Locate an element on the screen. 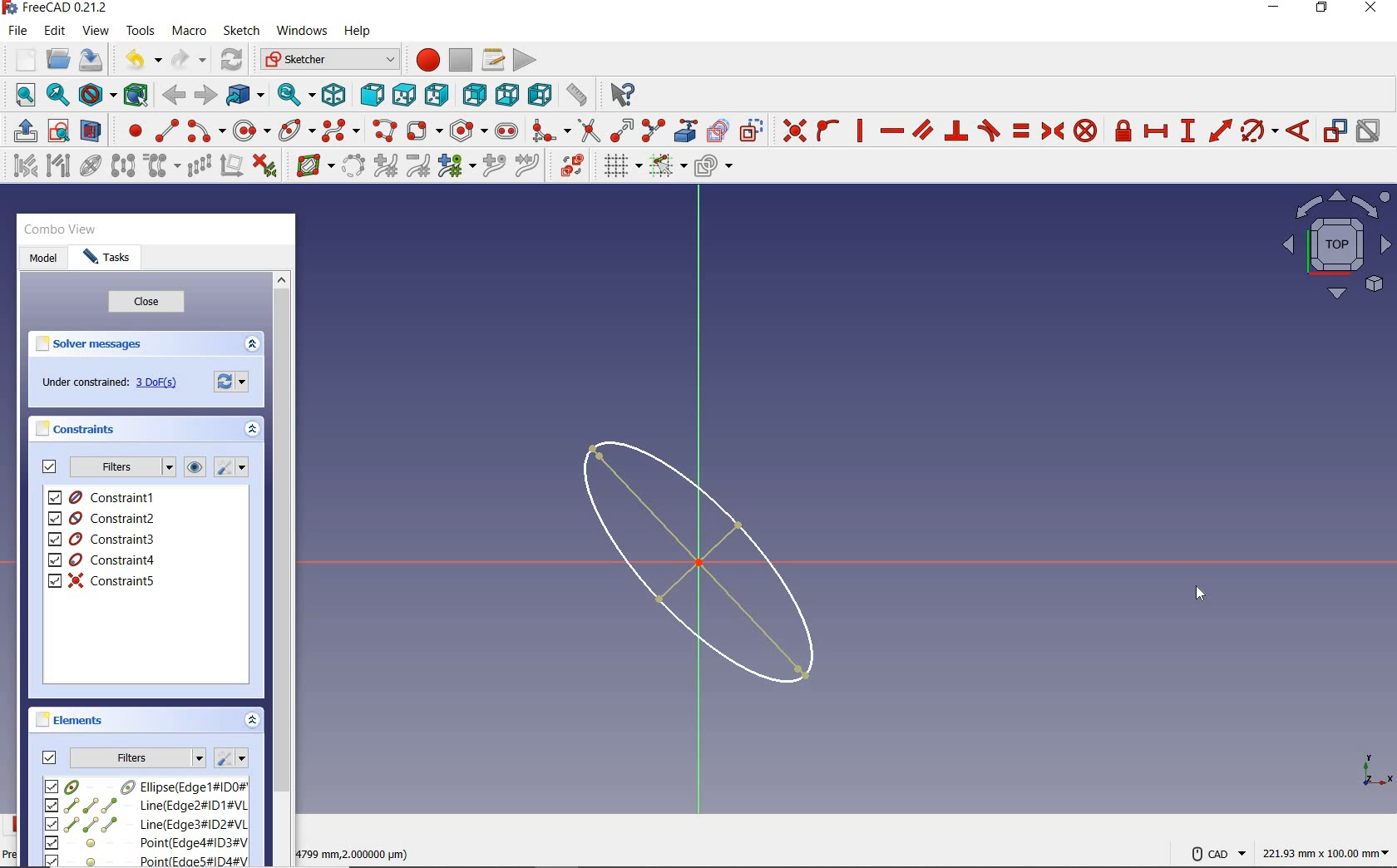  refresh is located at coordinates (234, 61).